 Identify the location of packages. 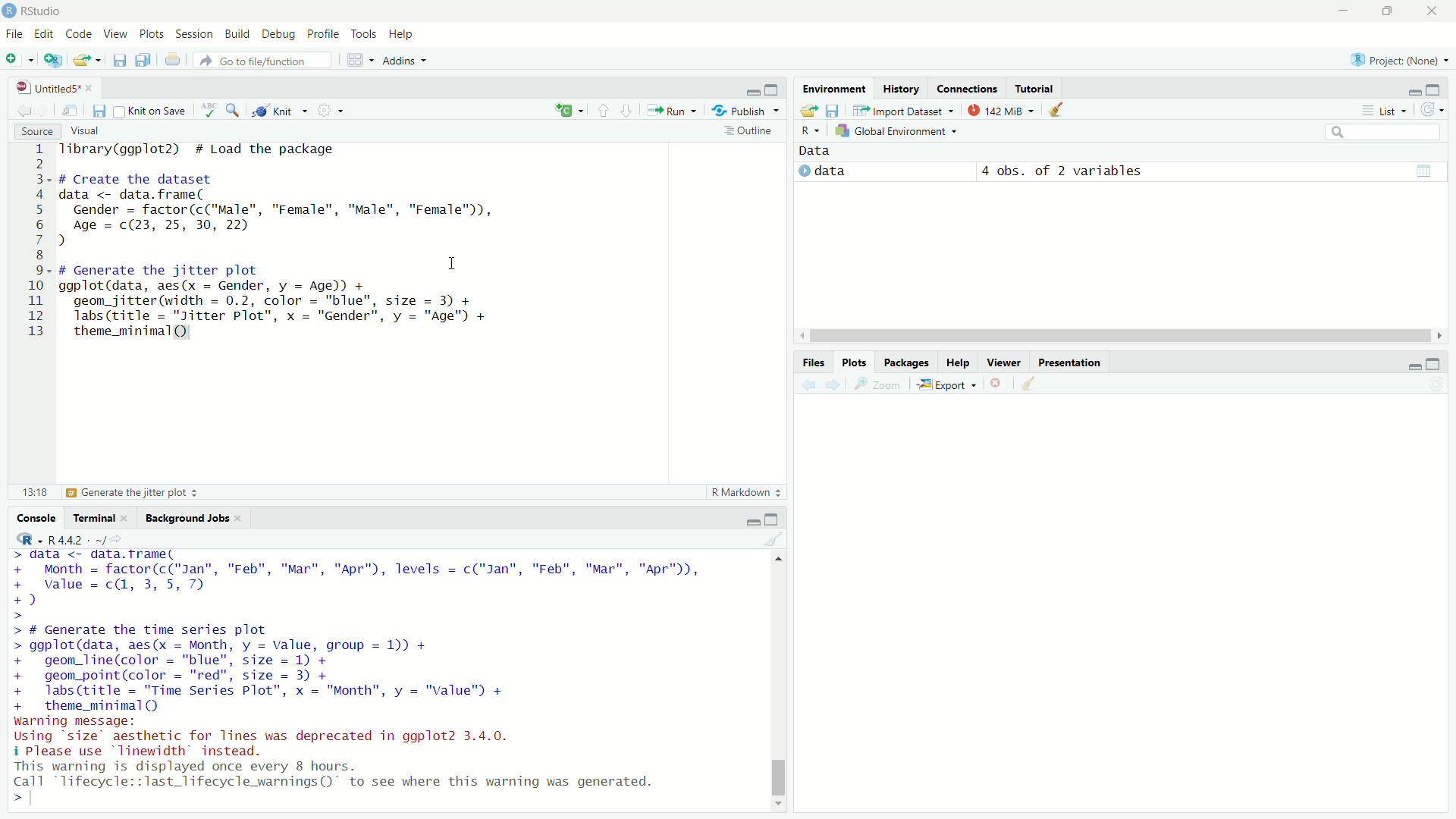
(907, 362).